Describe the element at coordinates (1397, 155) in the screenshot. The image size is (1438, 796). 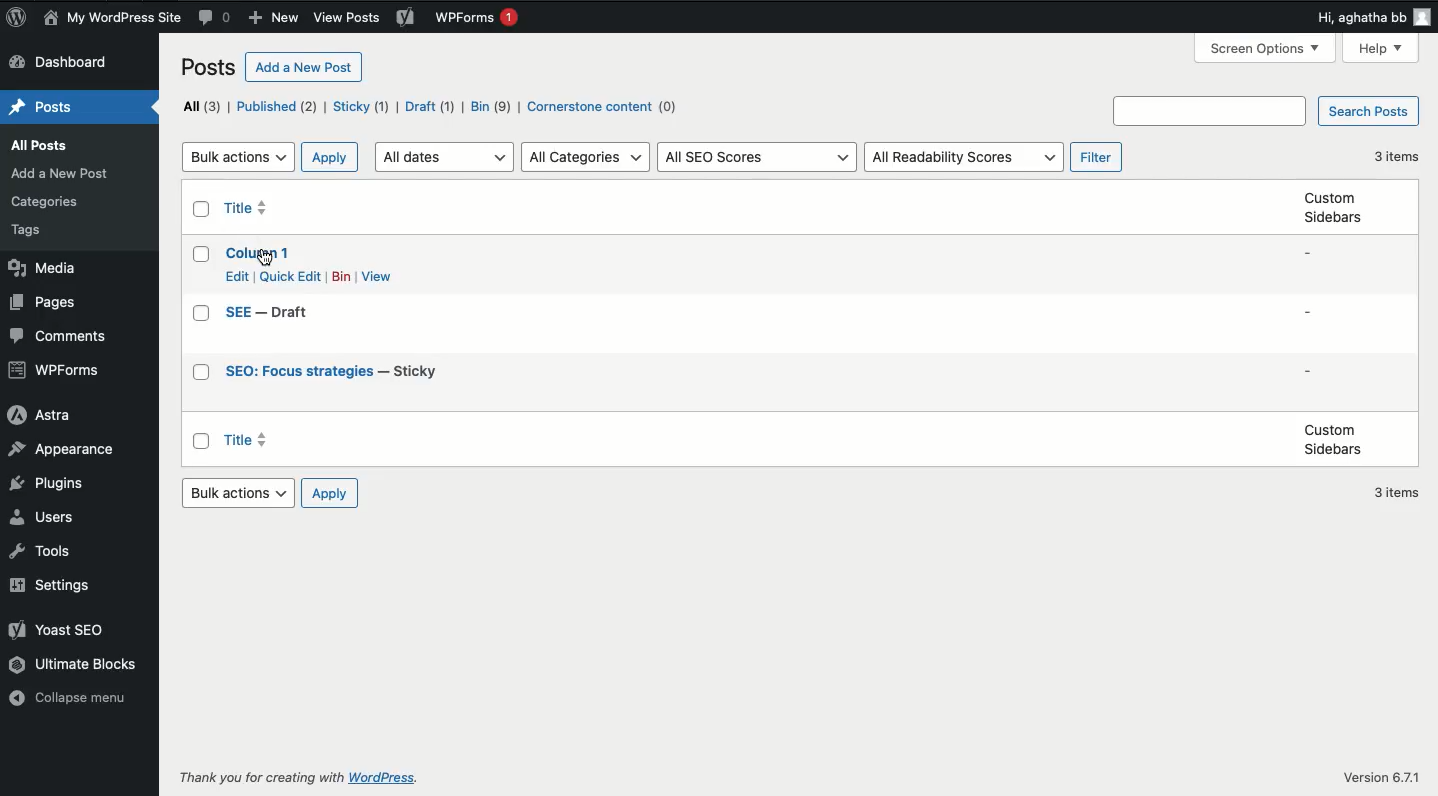
I see `3 items` at that location.